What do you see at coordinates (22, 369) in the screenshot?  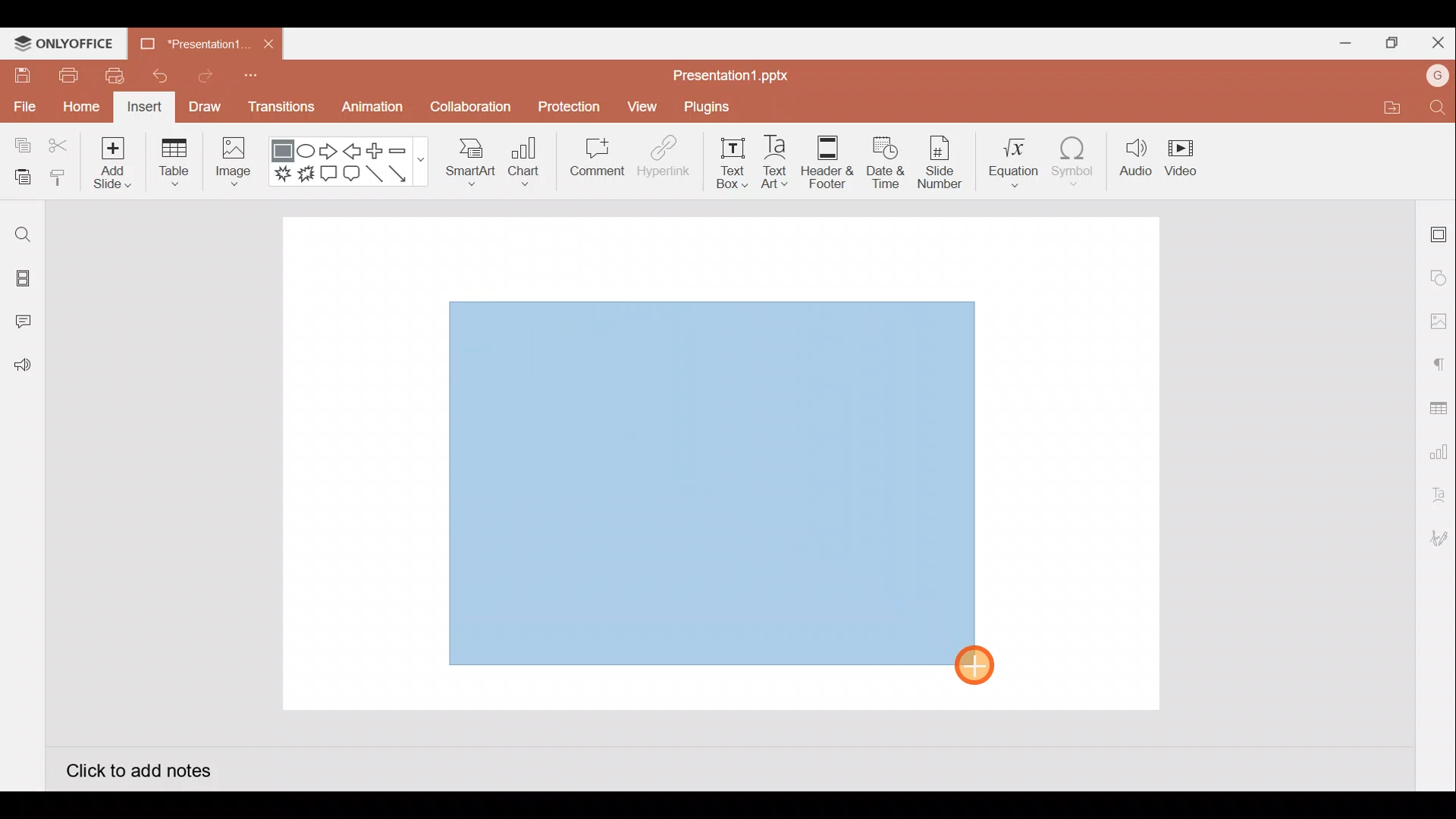 I see `Feedback and Support` at bounding box center [22, 369].